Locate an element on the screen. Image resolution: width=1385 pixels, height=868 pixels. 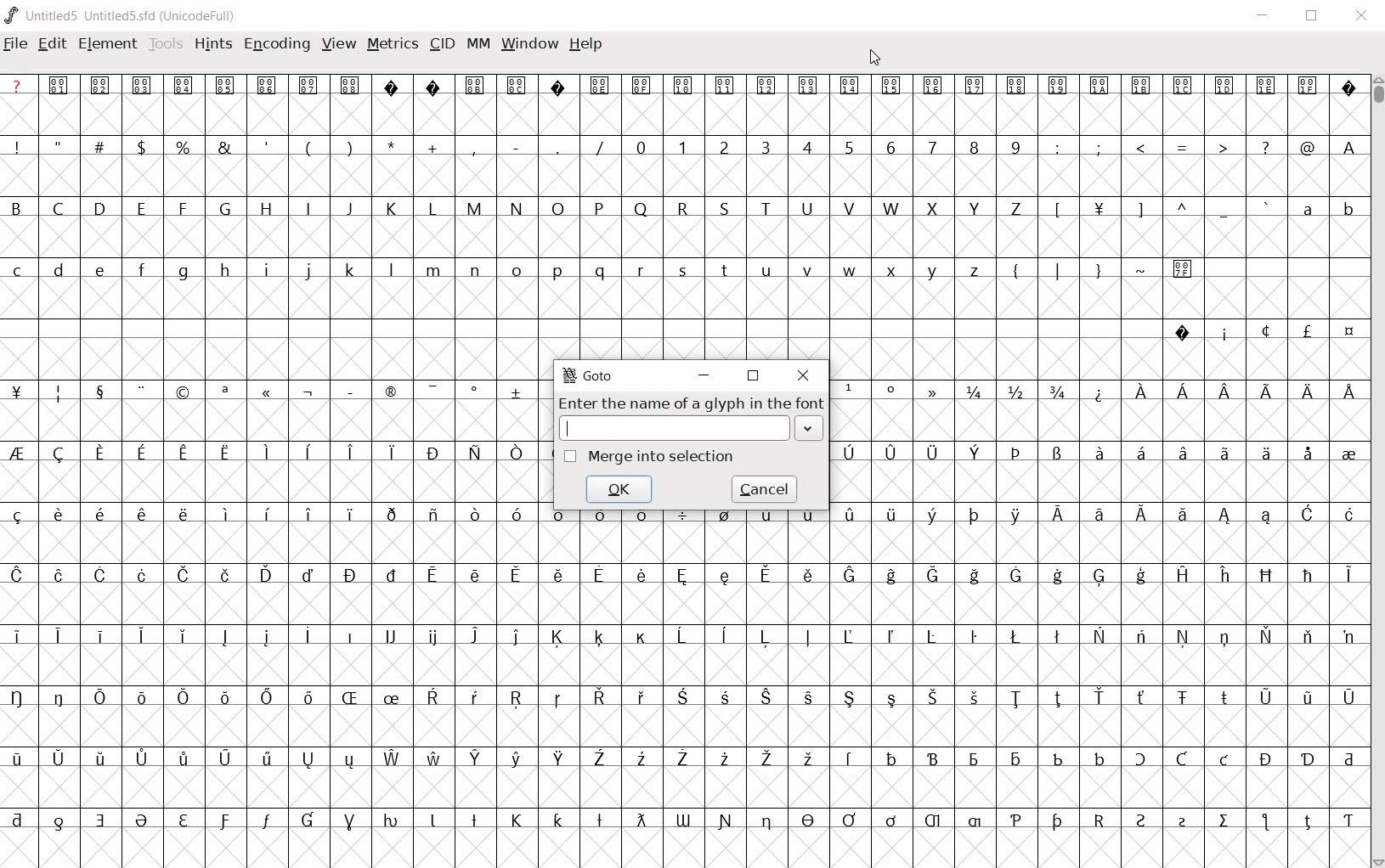
3 is located at coordinates (765, 146).